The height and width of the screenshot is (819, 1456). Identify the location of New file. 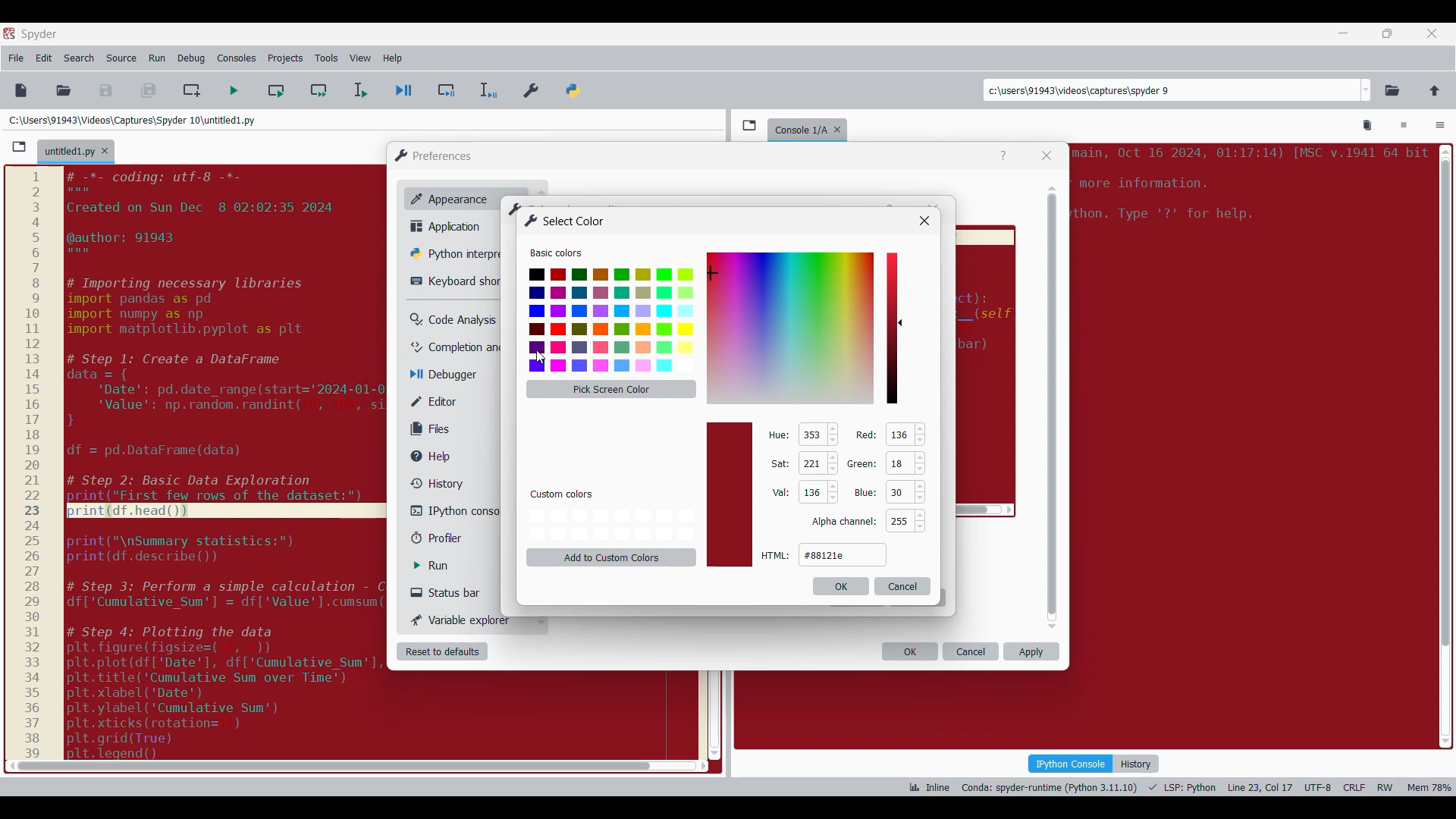
(20, 90).